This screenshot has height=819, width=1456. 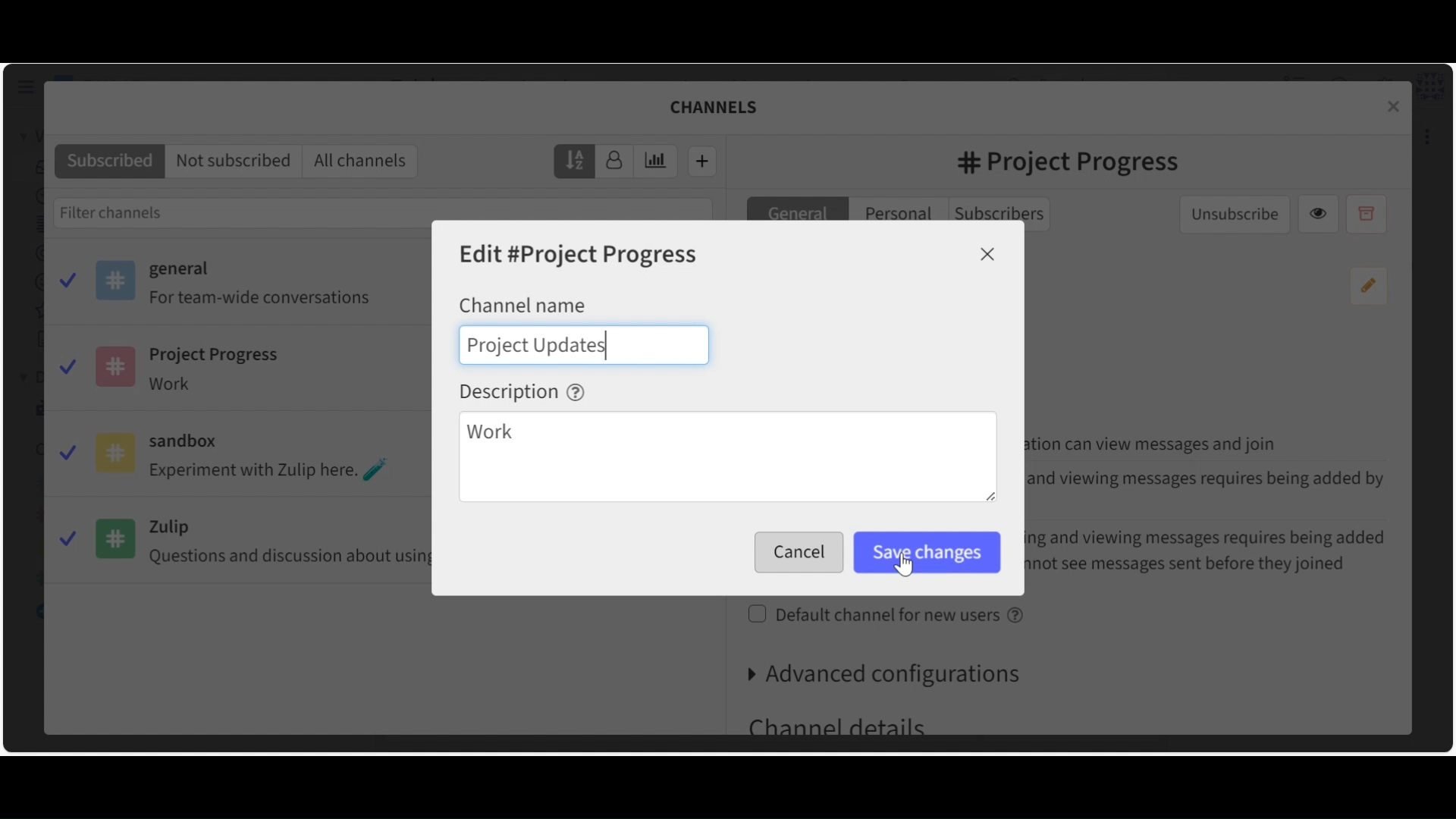 I want to click on Description, so click(x=522, y=391).